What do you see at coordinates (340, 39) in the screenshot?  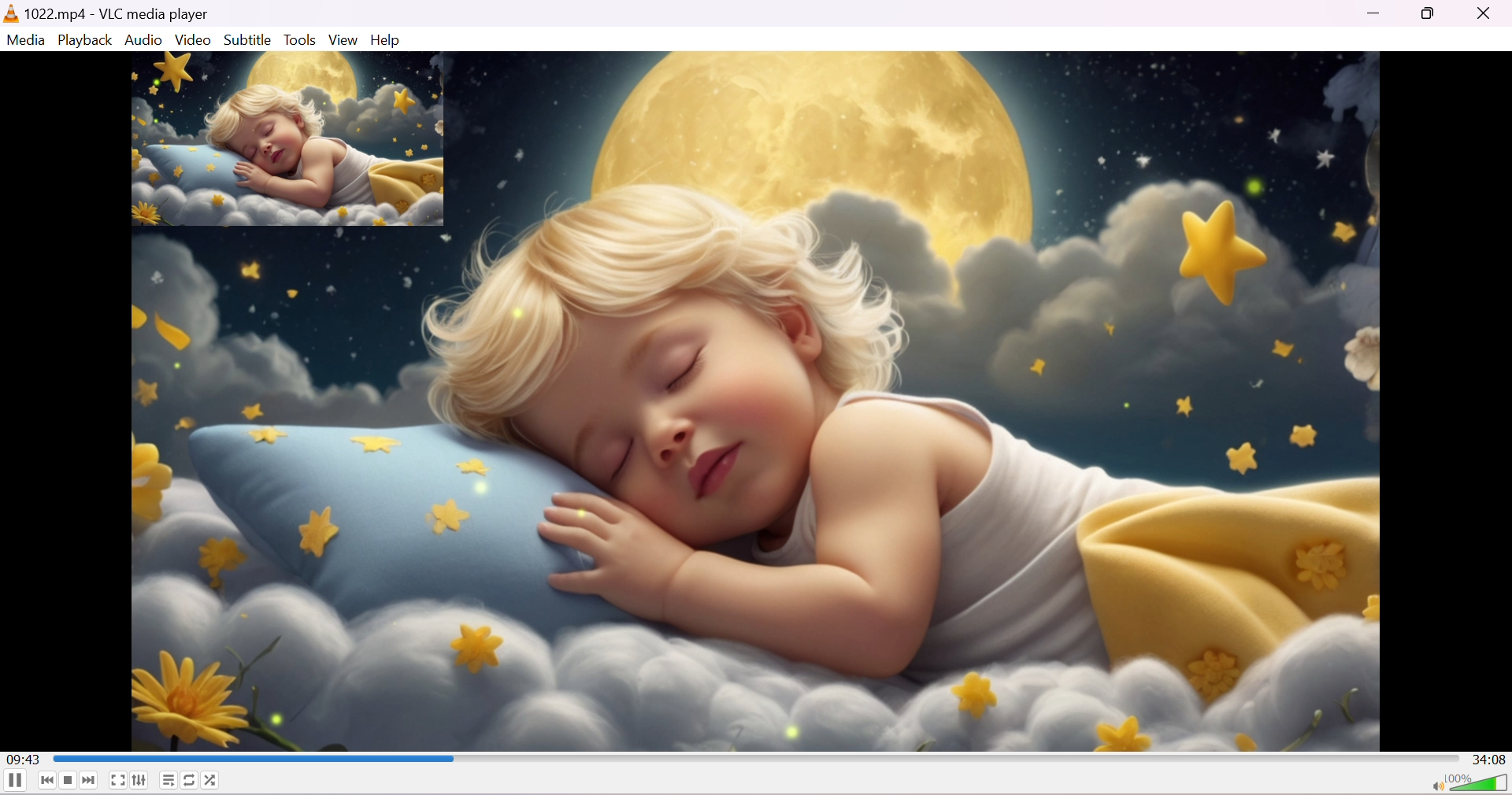 I see `View` at bounding box center [340, 39].